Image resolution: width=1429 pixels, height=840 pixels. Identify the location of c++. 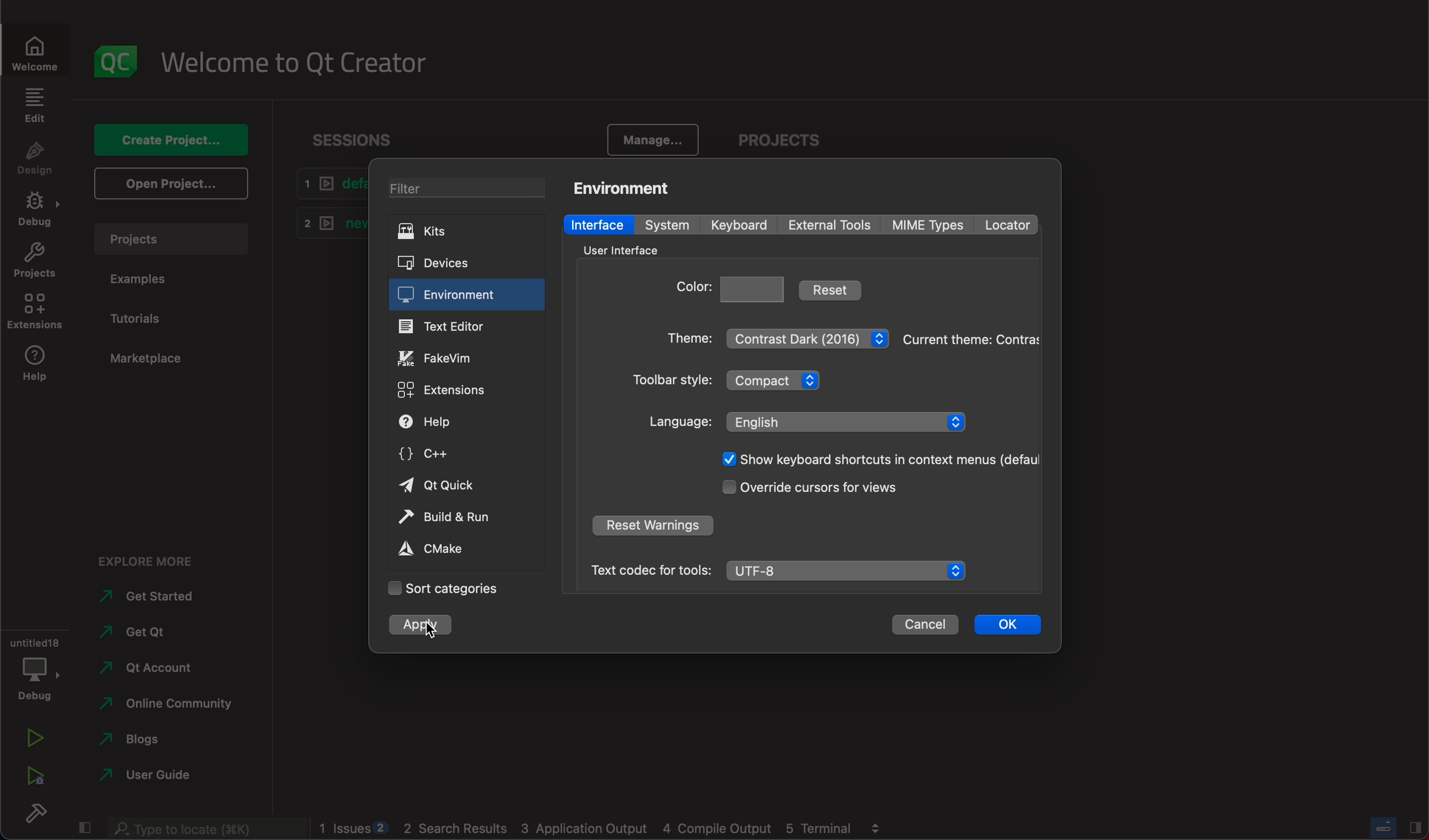
(446, 455).